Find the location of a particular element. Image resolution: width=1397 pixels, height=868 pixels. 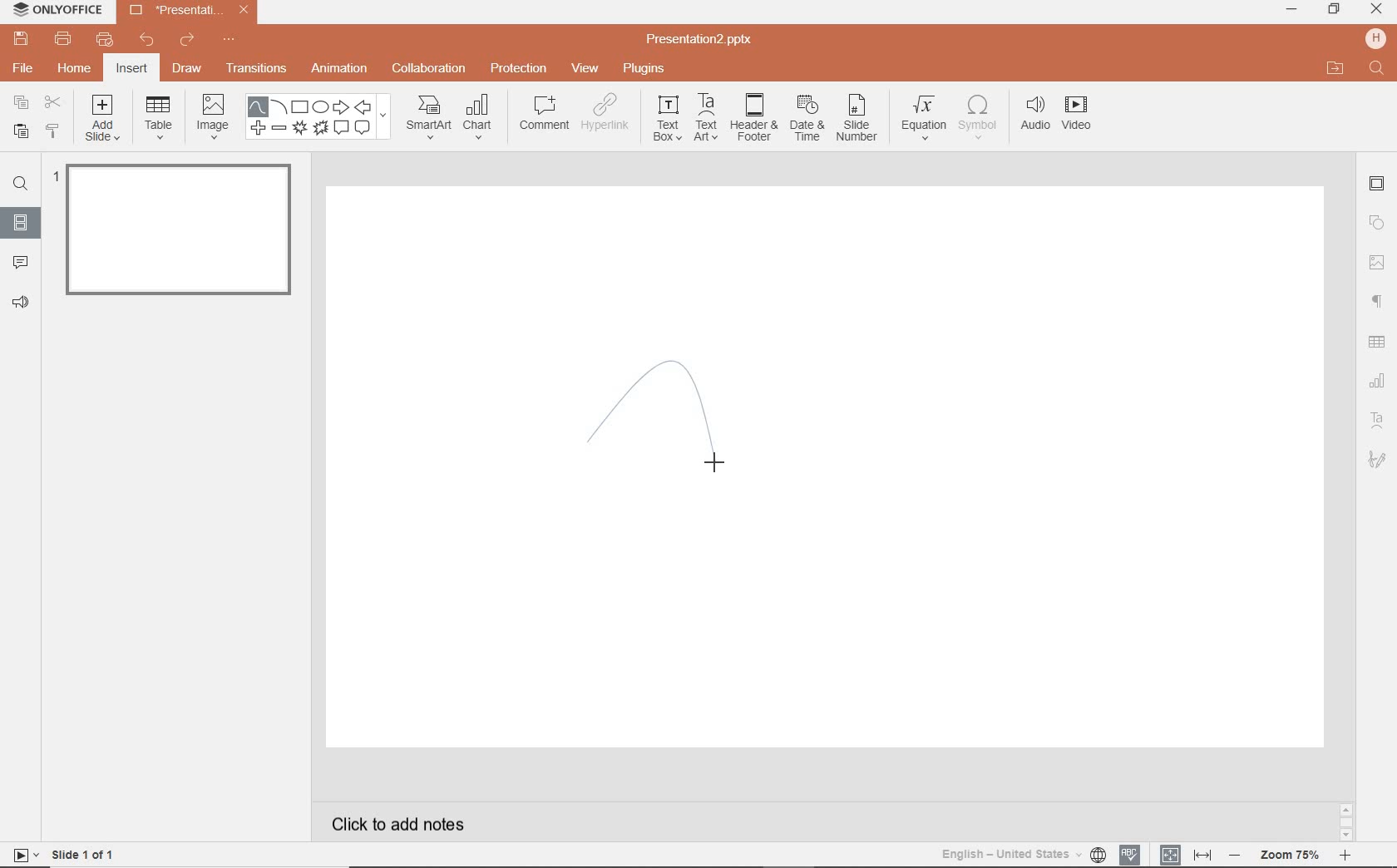

SCROLLBAR is located at coordinates (1345, 820).